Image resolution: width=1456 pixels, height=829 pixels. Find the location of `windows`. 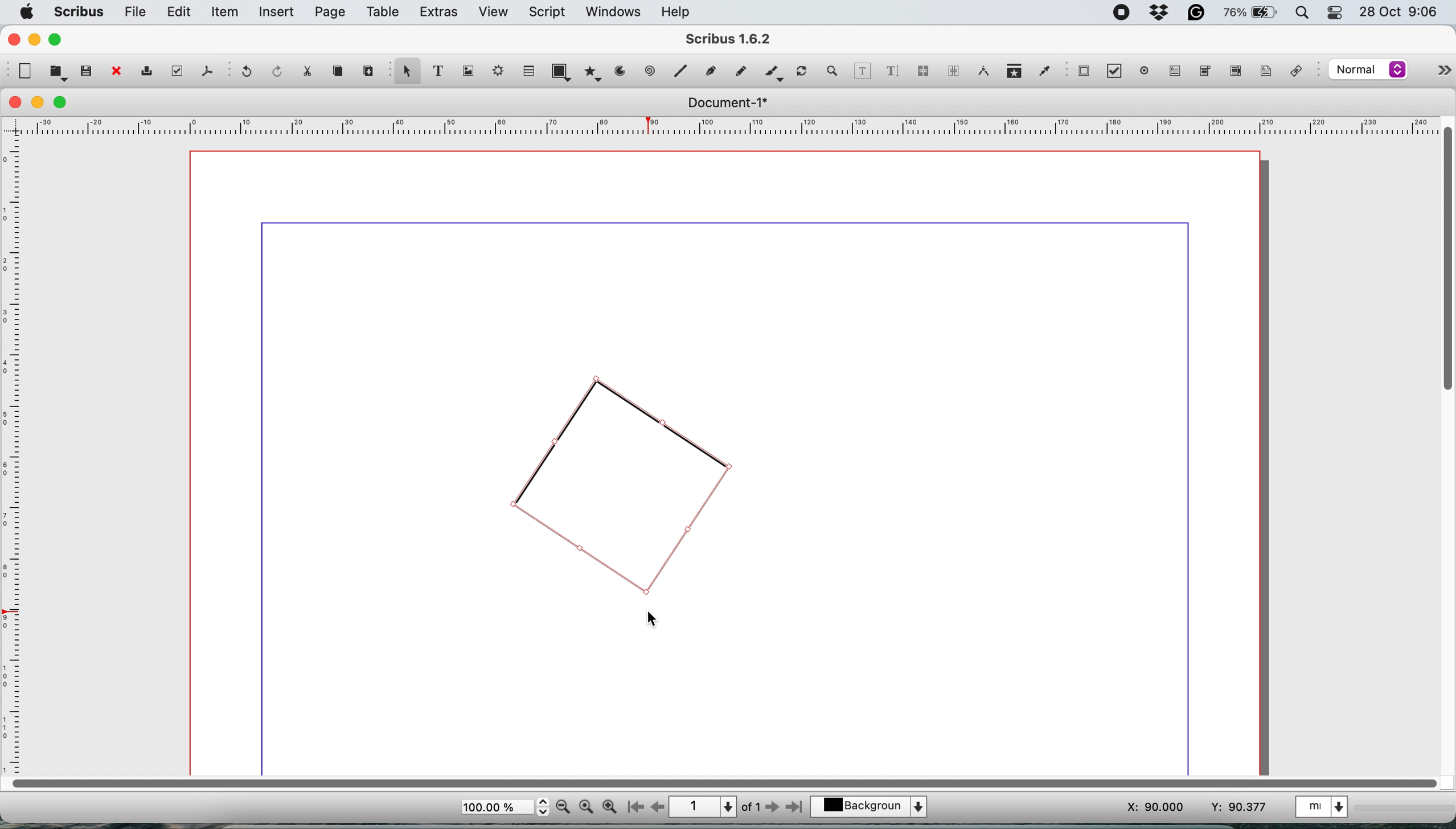

windows is located at coordinates (611, 11).